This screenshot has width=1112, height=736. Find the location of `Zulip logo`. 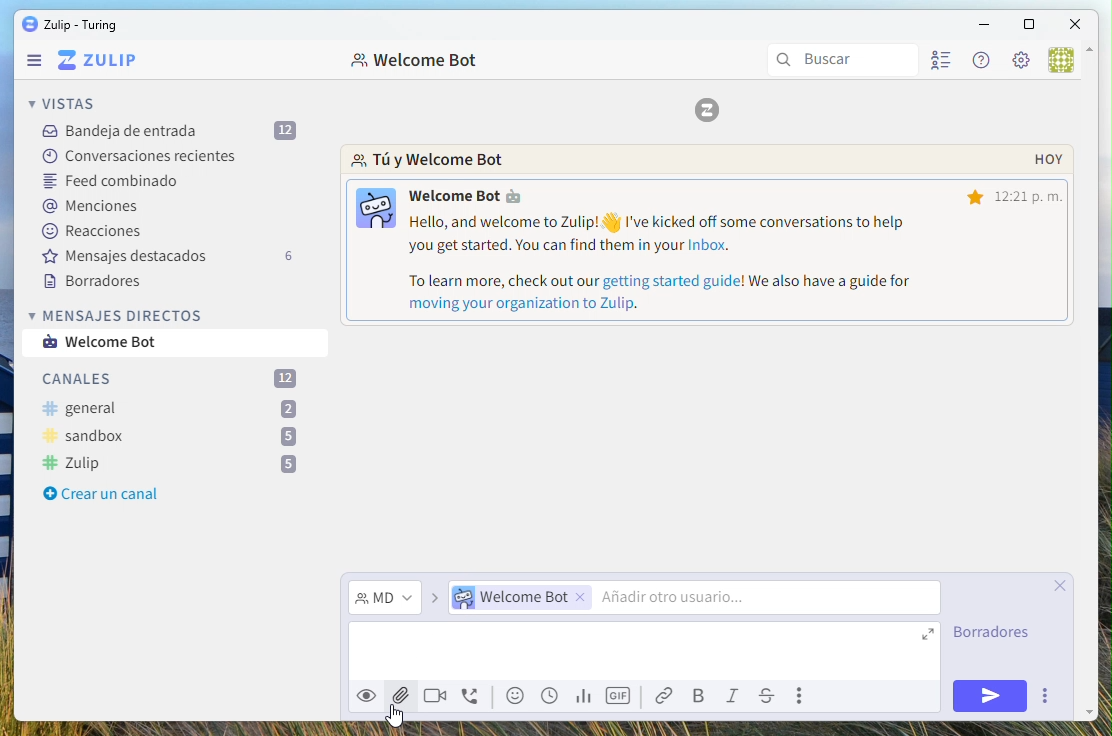

Zulip logo is located at coordinates (97, 61).